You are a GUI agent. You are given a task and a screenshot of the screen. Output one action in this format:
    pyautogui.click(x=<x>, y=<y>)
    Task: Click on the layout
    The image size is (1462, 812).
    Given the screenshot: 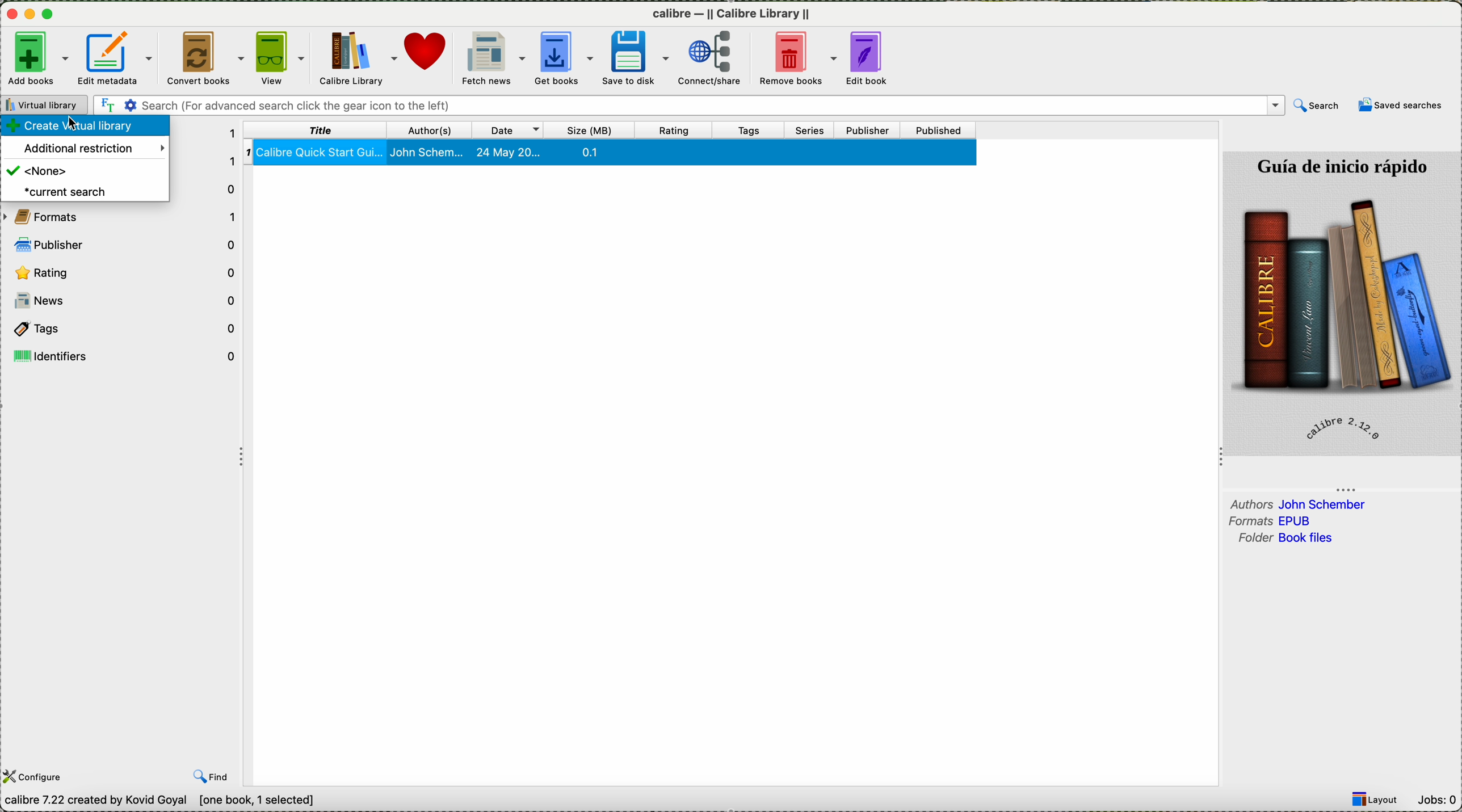 What is the action you would take?
    pyautogui.click(x=1379, y=800)
    